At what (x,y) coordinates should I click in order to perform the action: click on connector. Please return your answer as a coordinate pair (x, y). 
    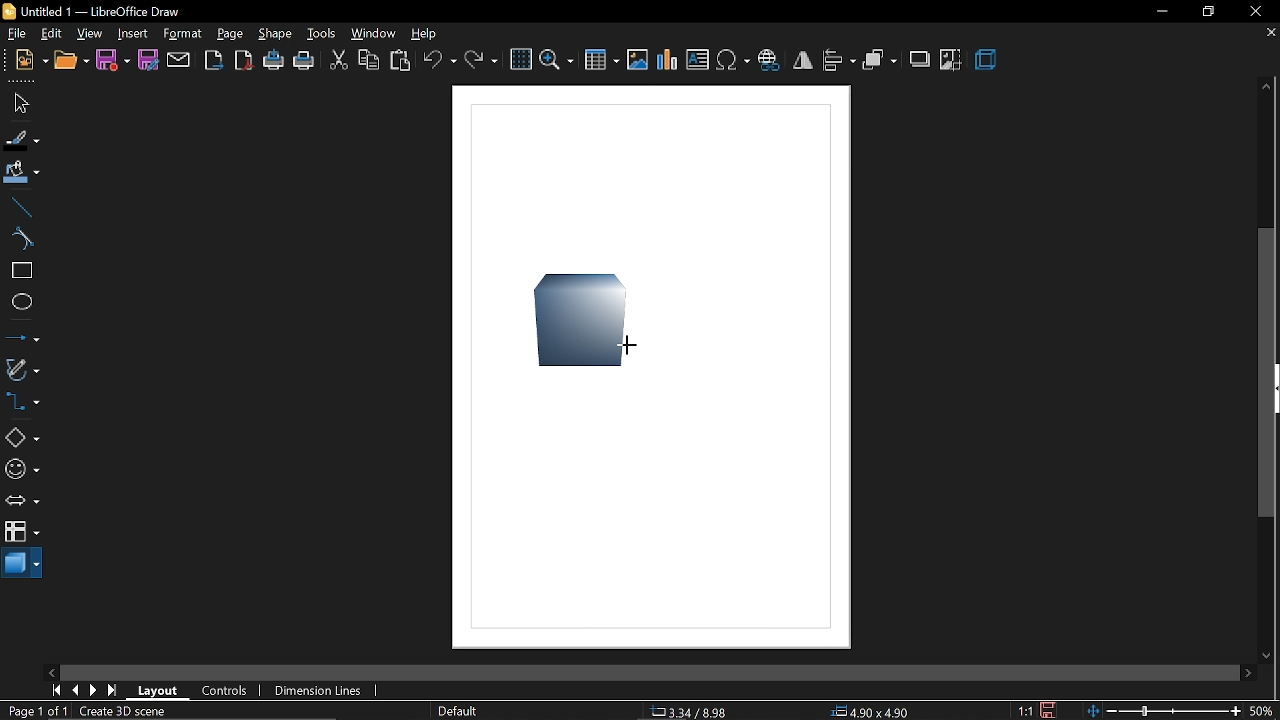
    Looking at the image, I should click on (23, 404).